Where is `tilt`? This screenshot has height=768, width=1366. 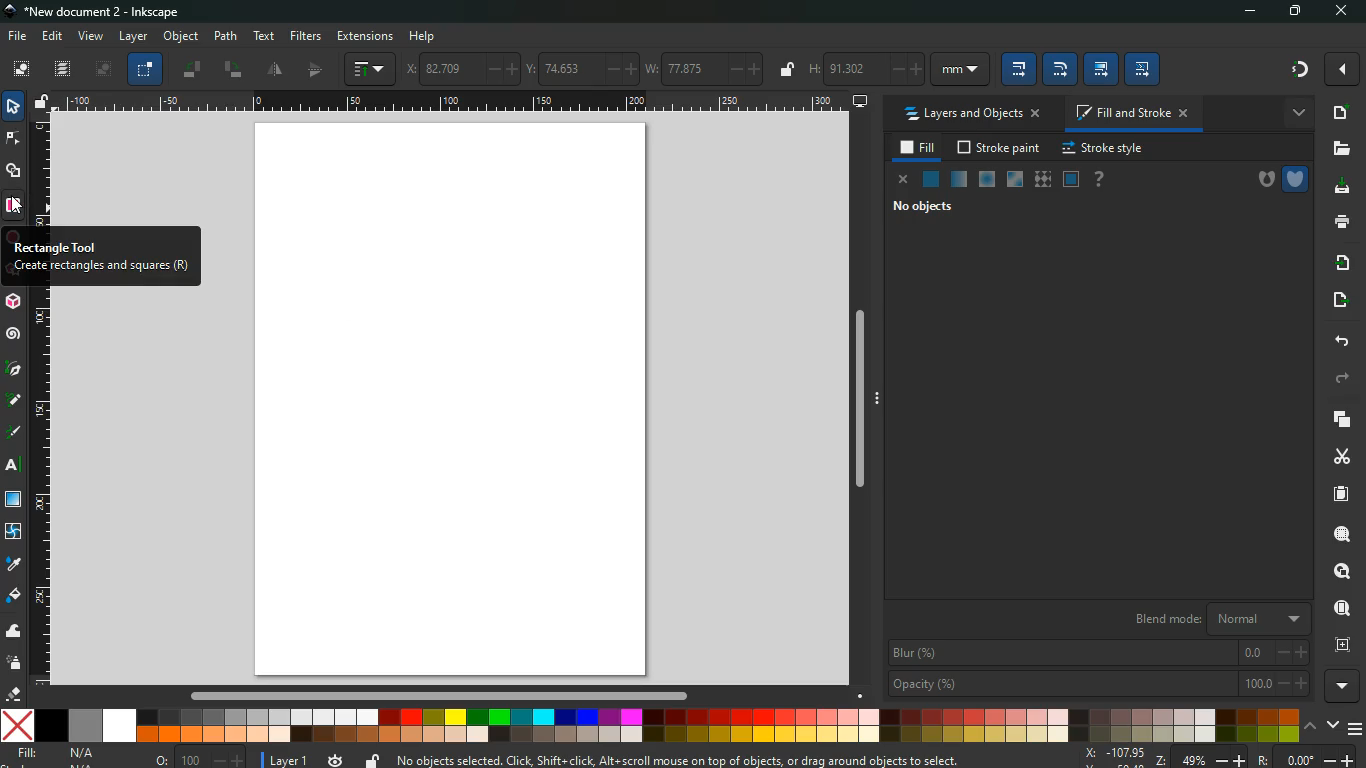 tilt is located at coordinates (233, 71).